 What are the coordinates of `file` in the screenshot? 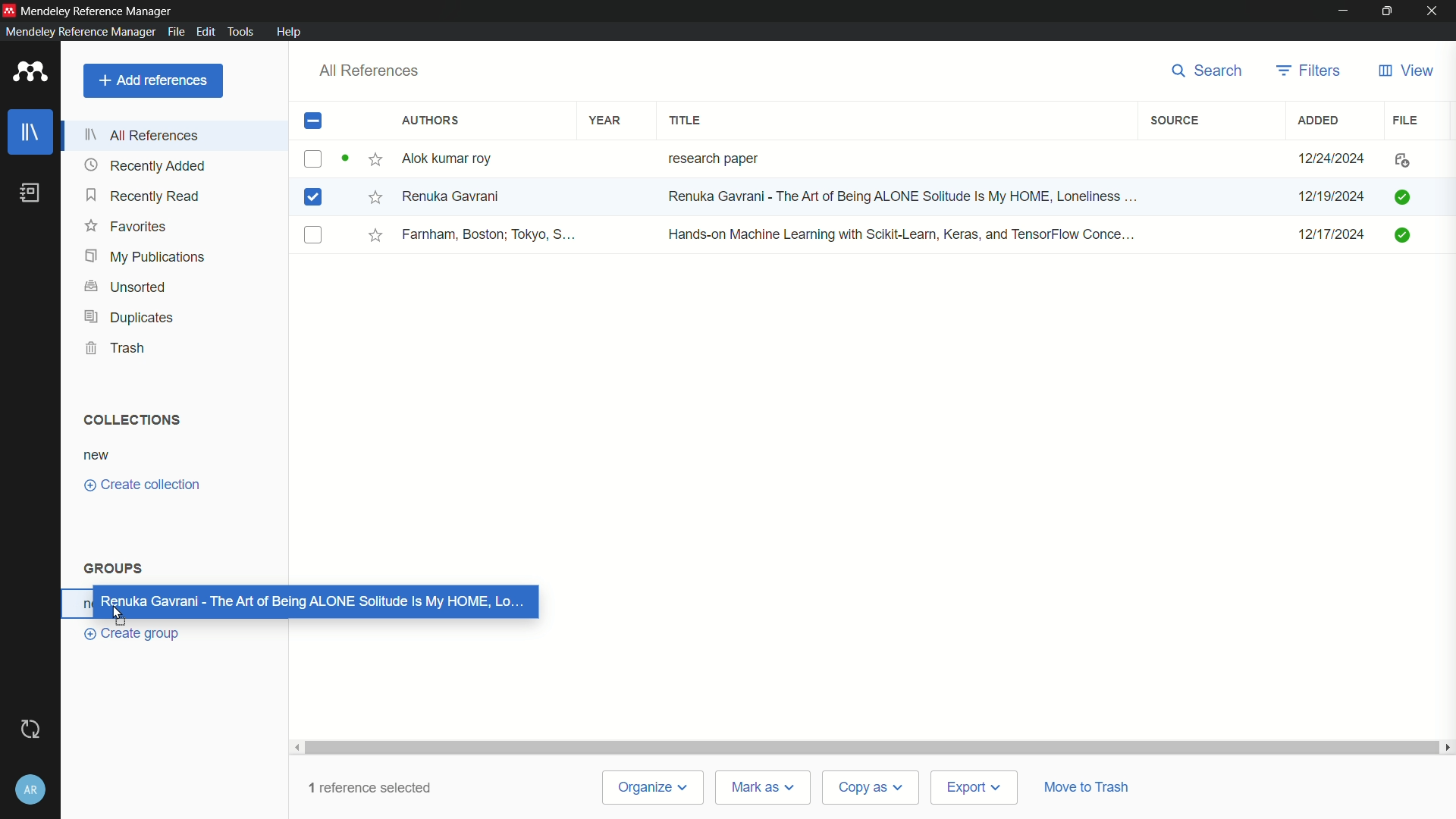 It's located at (1407, 119).